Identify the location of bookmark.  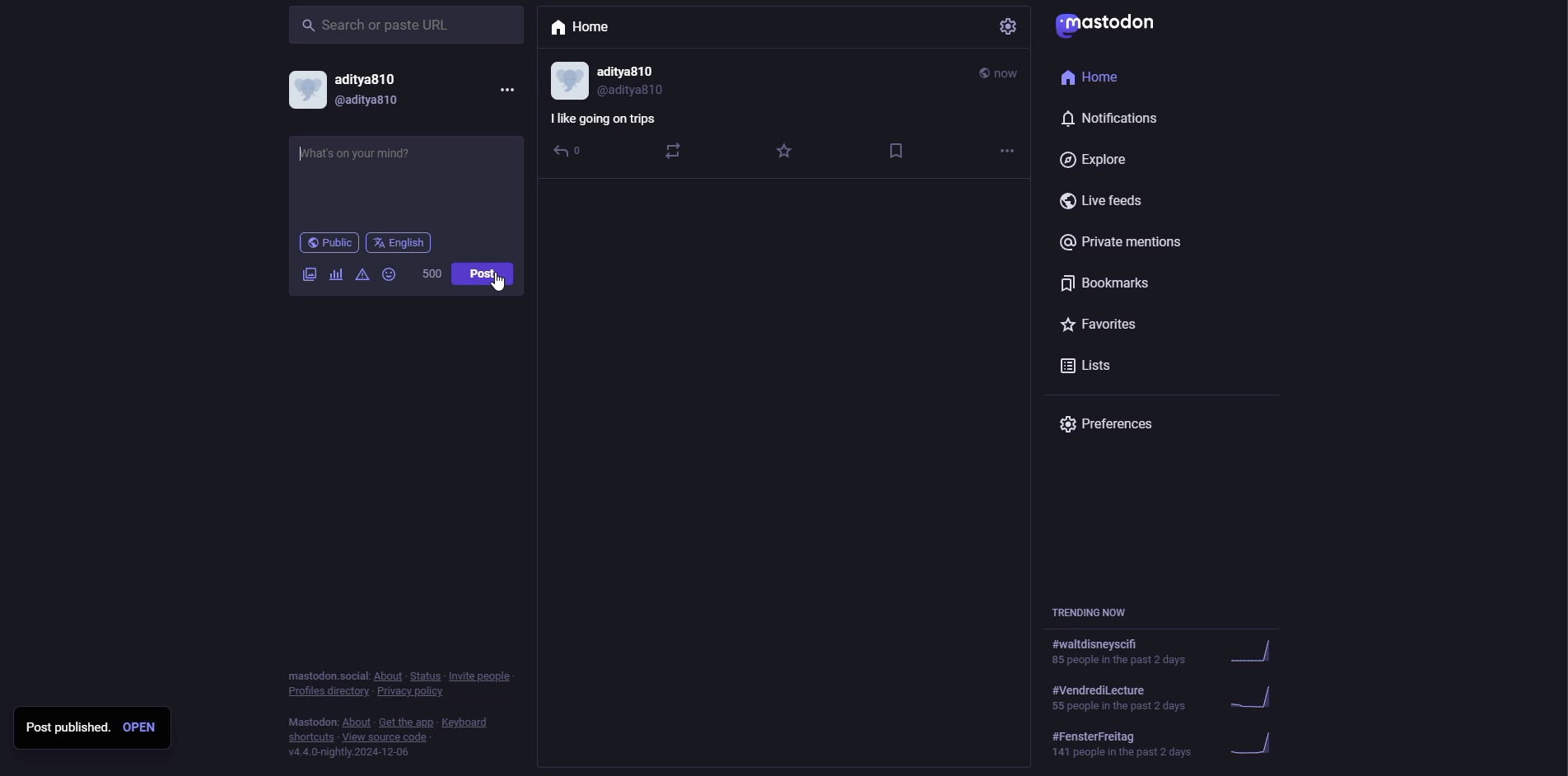
(896, 151).